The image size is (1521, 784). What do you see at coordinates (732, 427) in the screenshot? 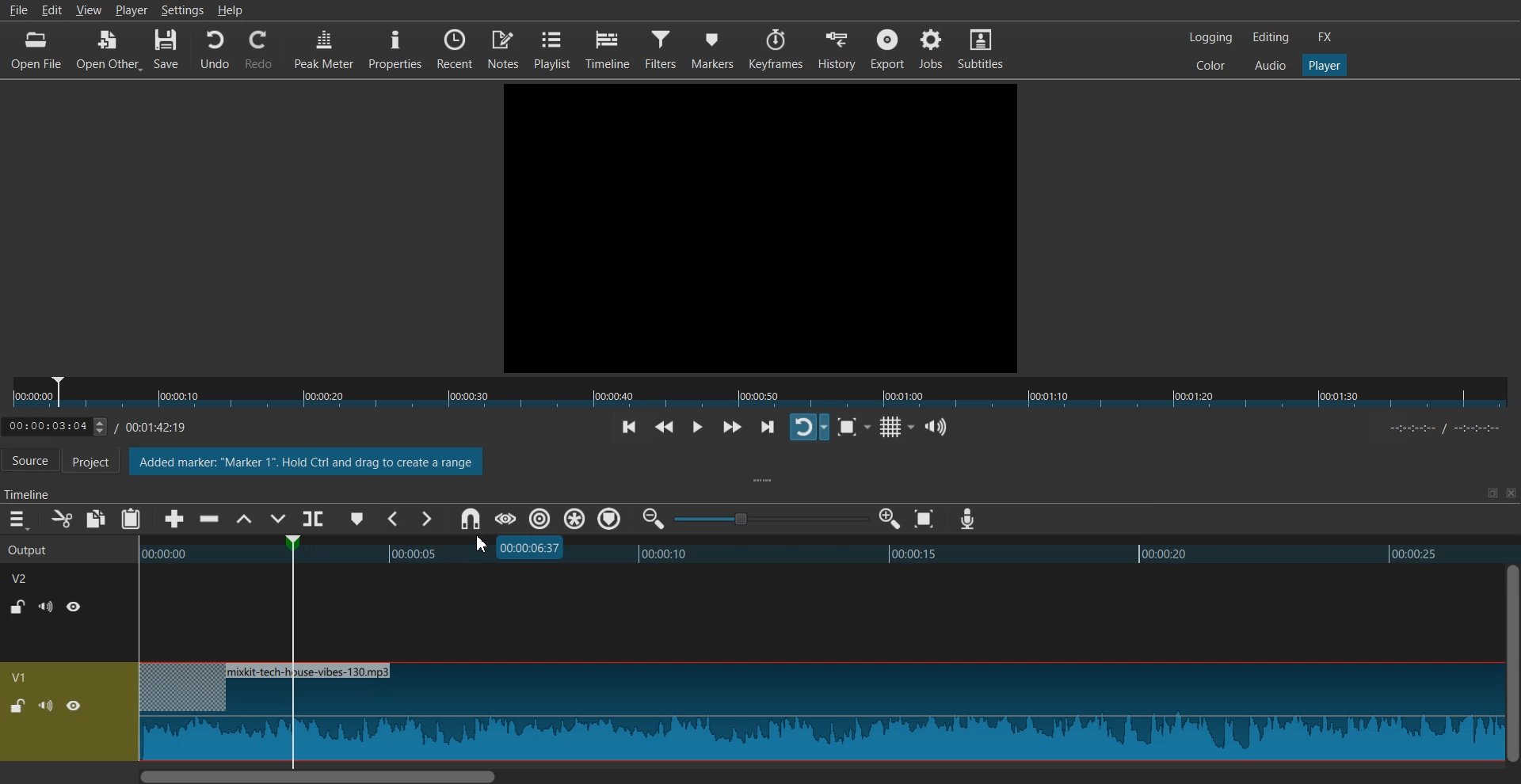
I see `Play quickly forwards` at bounding box center [732, 427].